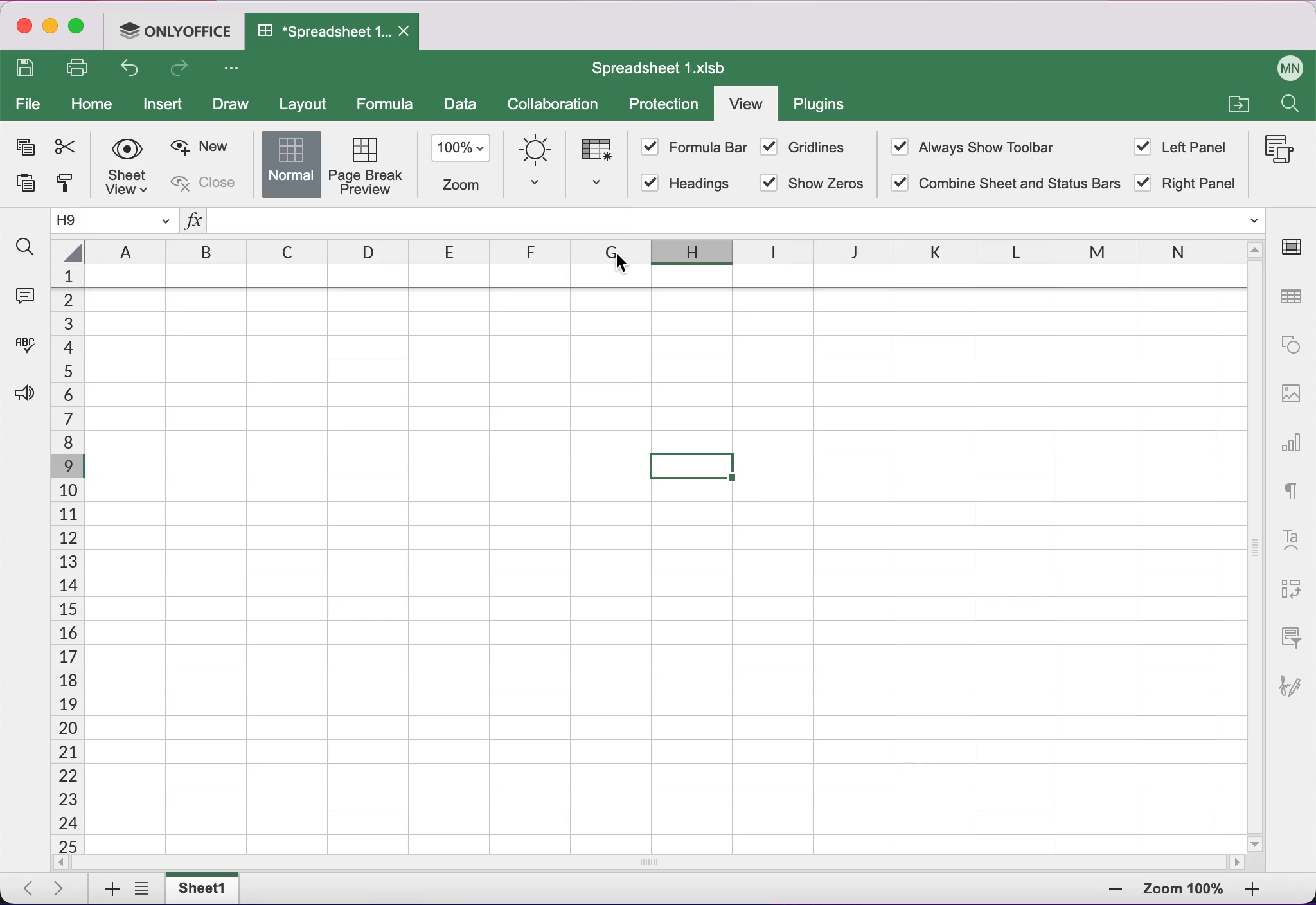 The width and height of the screenshot is (1316, 905). What do you see at coordinates (692, 467) in the screenshot?
I see `selected cell` at bounding box center [692, 467].